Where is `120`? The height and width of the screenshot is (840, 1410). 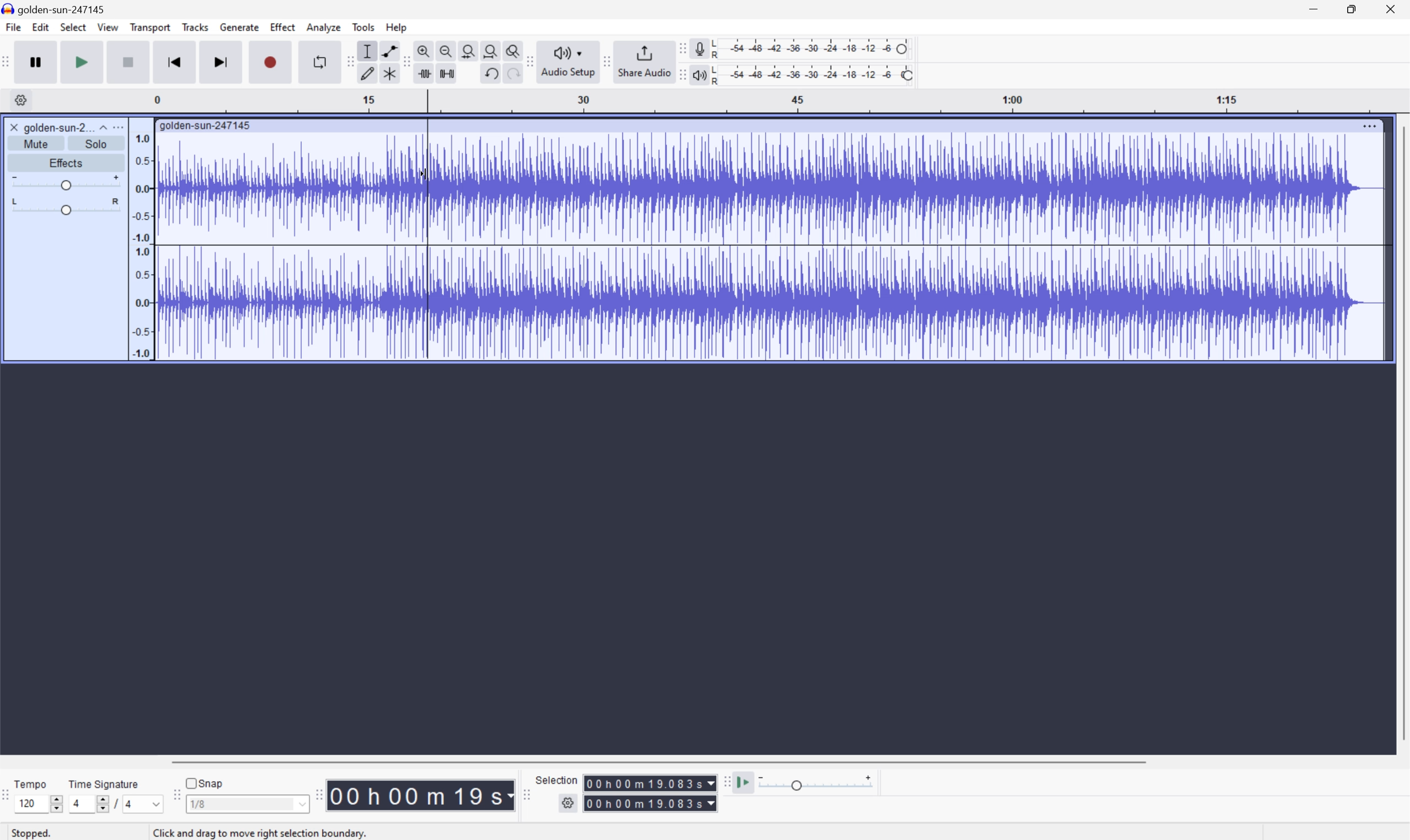
120 is located at coordinates (27, 803).